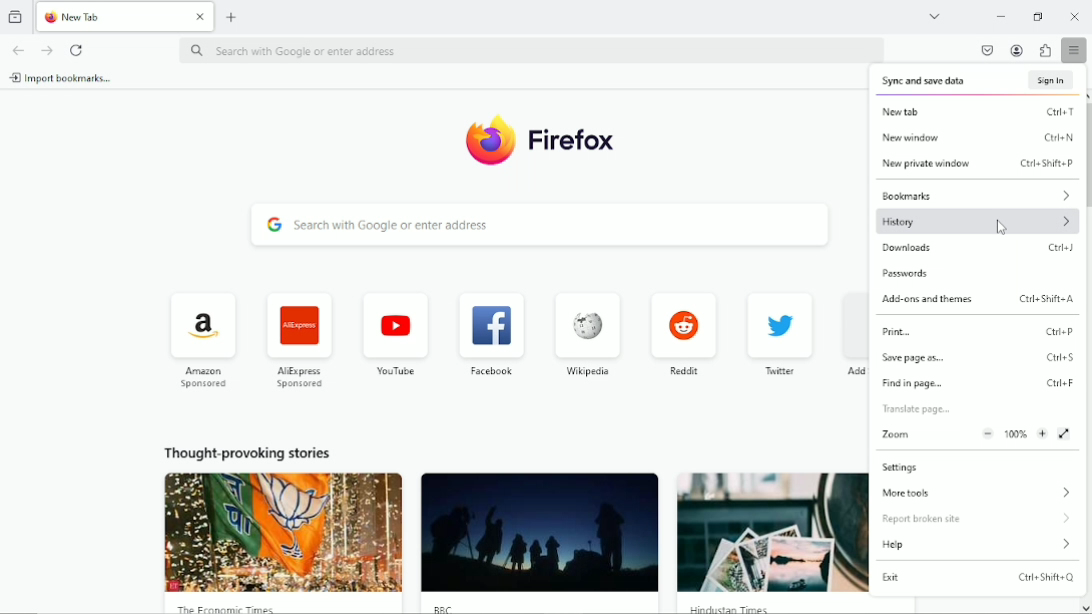 This screenshot has height=614, width=1092. Describe the element at coordinates (1085, 96) in the screenshot. I see `scroll up` at that location.